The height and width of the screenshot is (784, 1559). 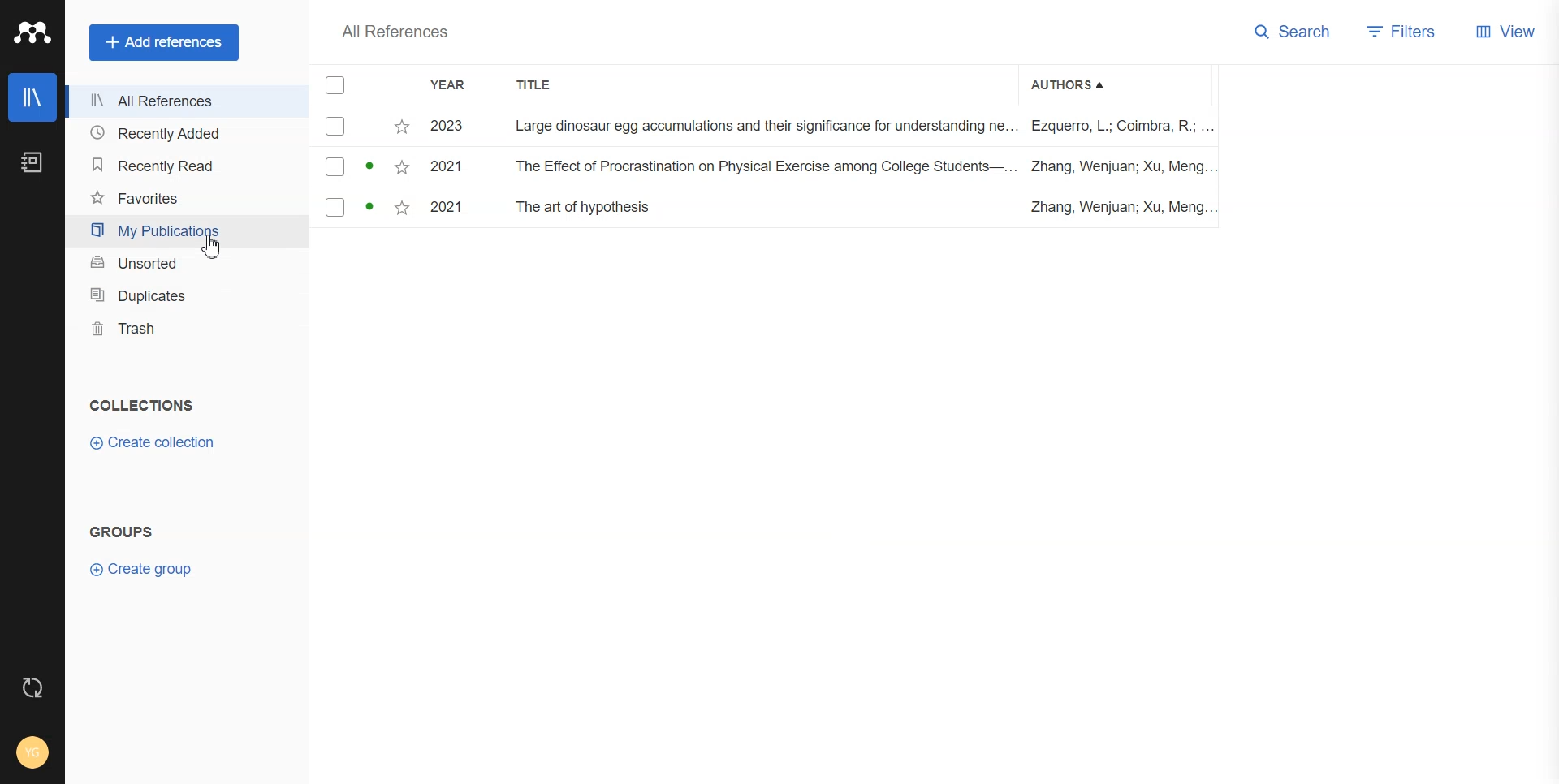 I want to click on Trash, so click(x=184, y=328).